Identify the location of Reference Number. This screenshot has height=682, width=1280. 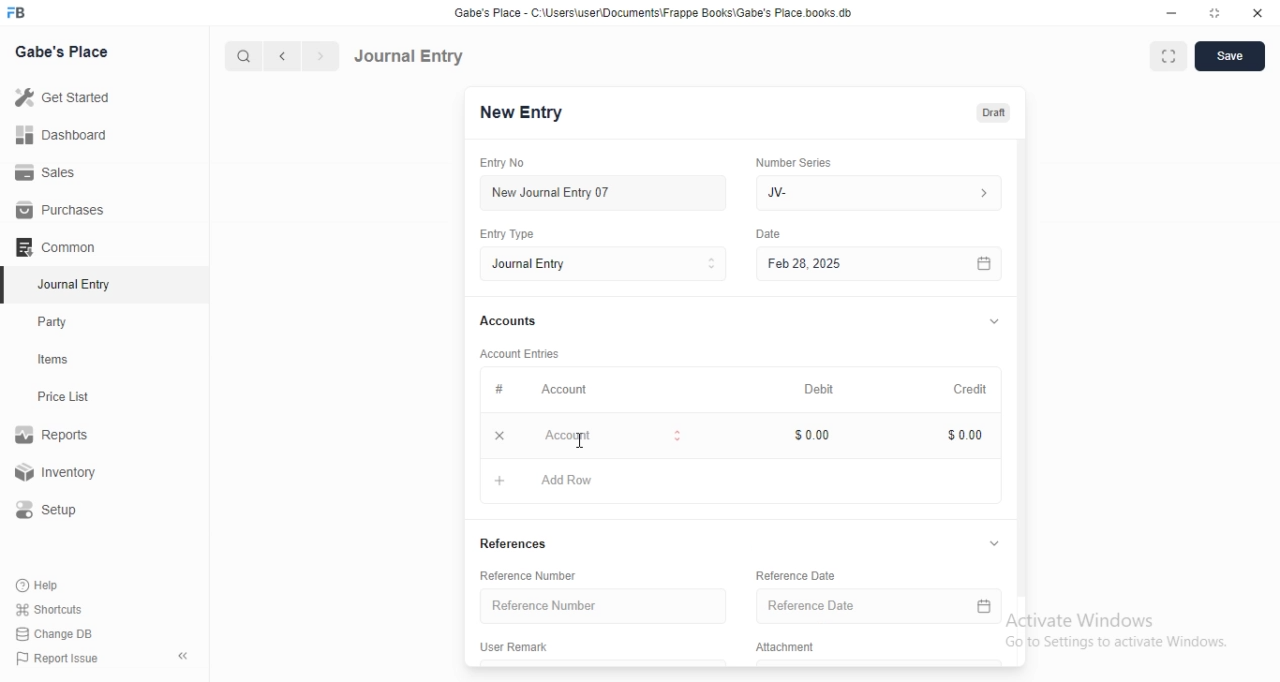
(604, 606).